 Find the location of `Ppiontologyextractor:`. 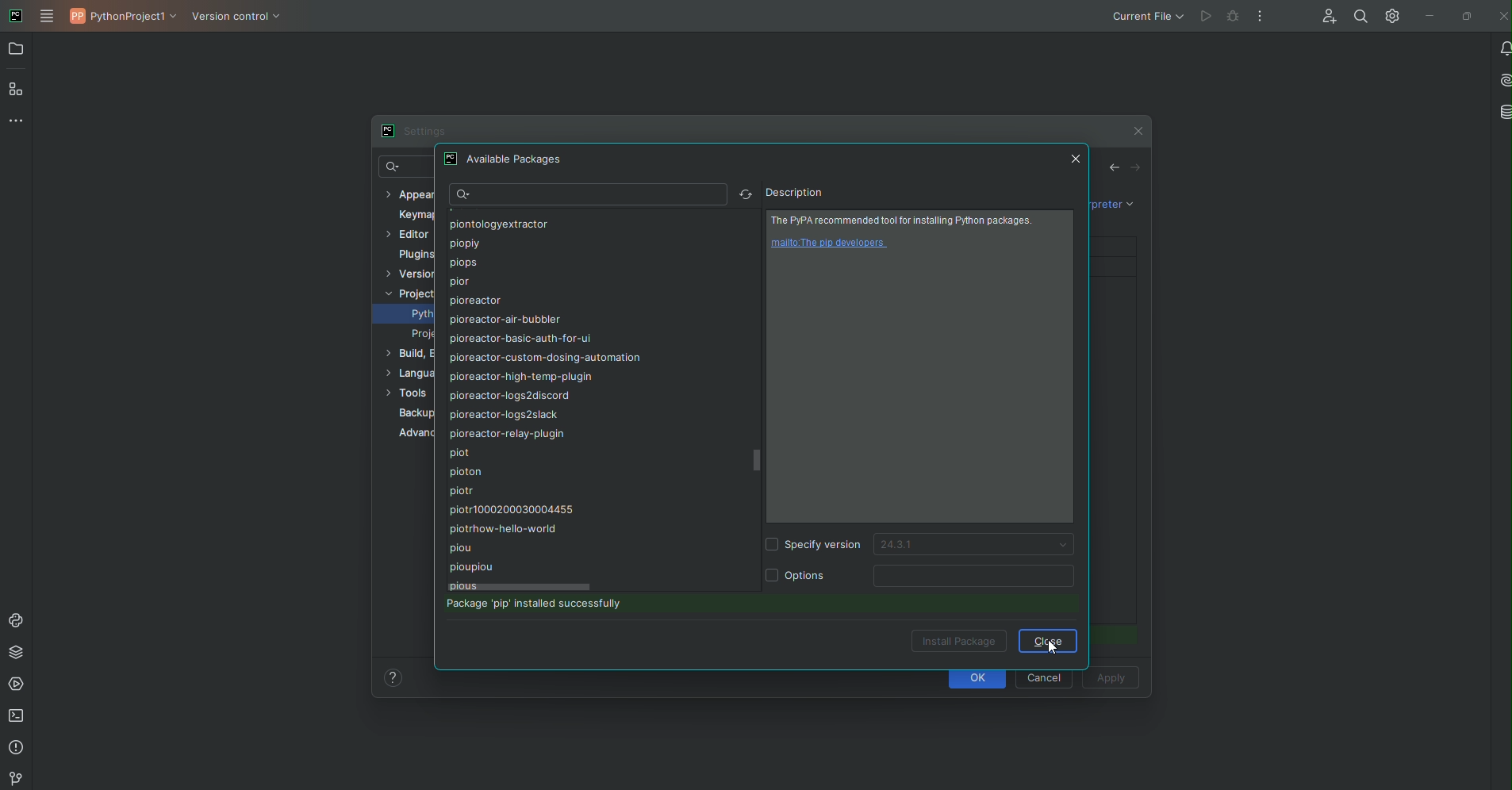

Ppiontologyextractor: is located at coordinates (495, 225).